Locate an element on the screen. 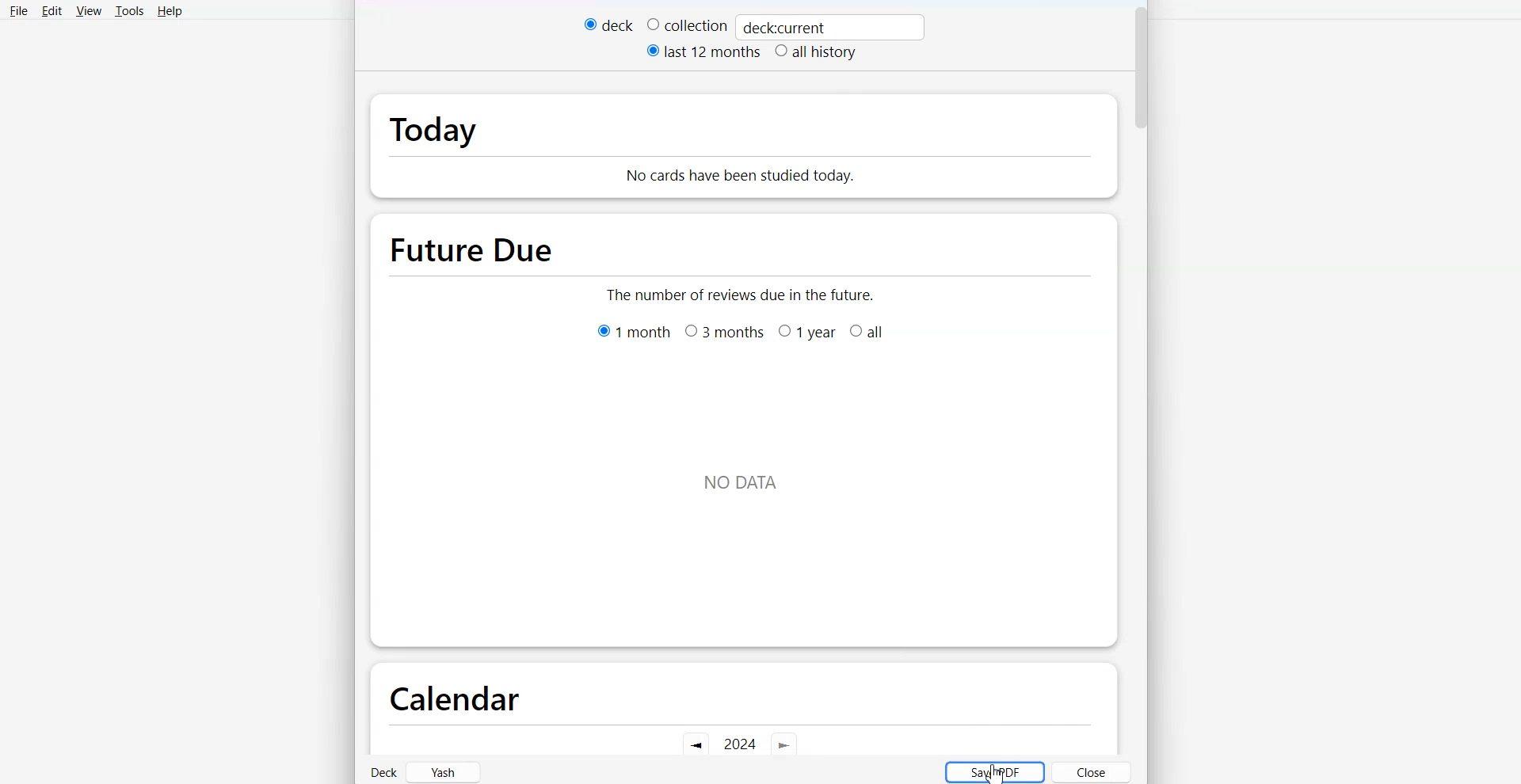 This screenshot has height=784, width=1521. Go Forward is located at coordinates (785, 747).